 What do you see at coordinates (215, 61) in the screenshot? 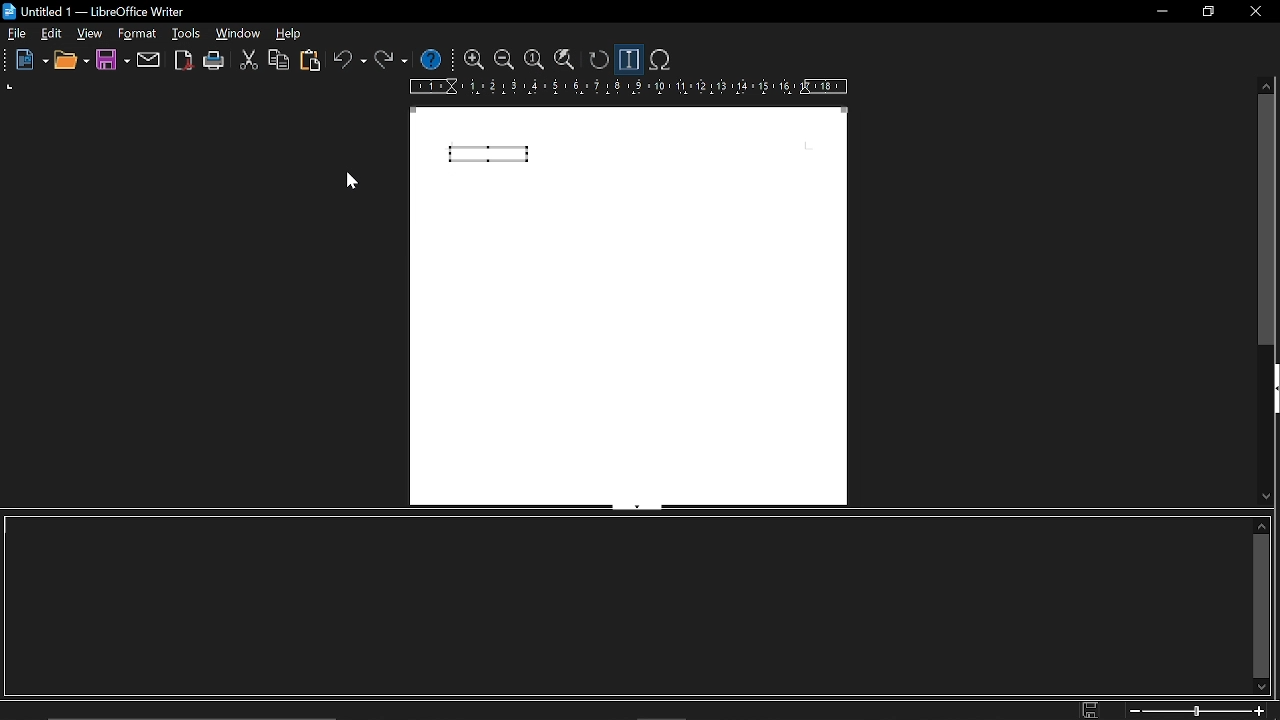
I see `print` at bounding box center [215, 61].